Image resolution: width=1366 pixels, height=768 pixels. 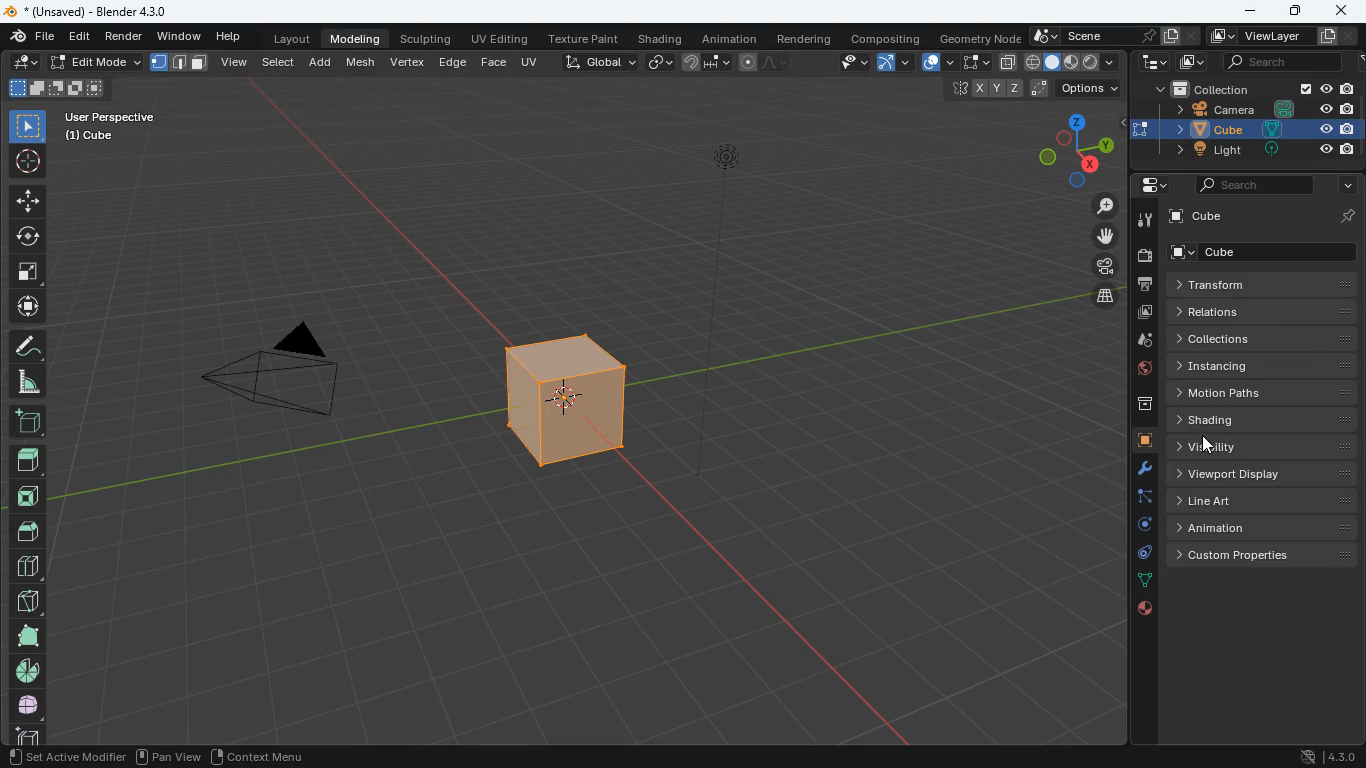 What do you see at coordinates (1265, 525) in the screenshot?
I see `animation` at bounding box center [1265, 525].